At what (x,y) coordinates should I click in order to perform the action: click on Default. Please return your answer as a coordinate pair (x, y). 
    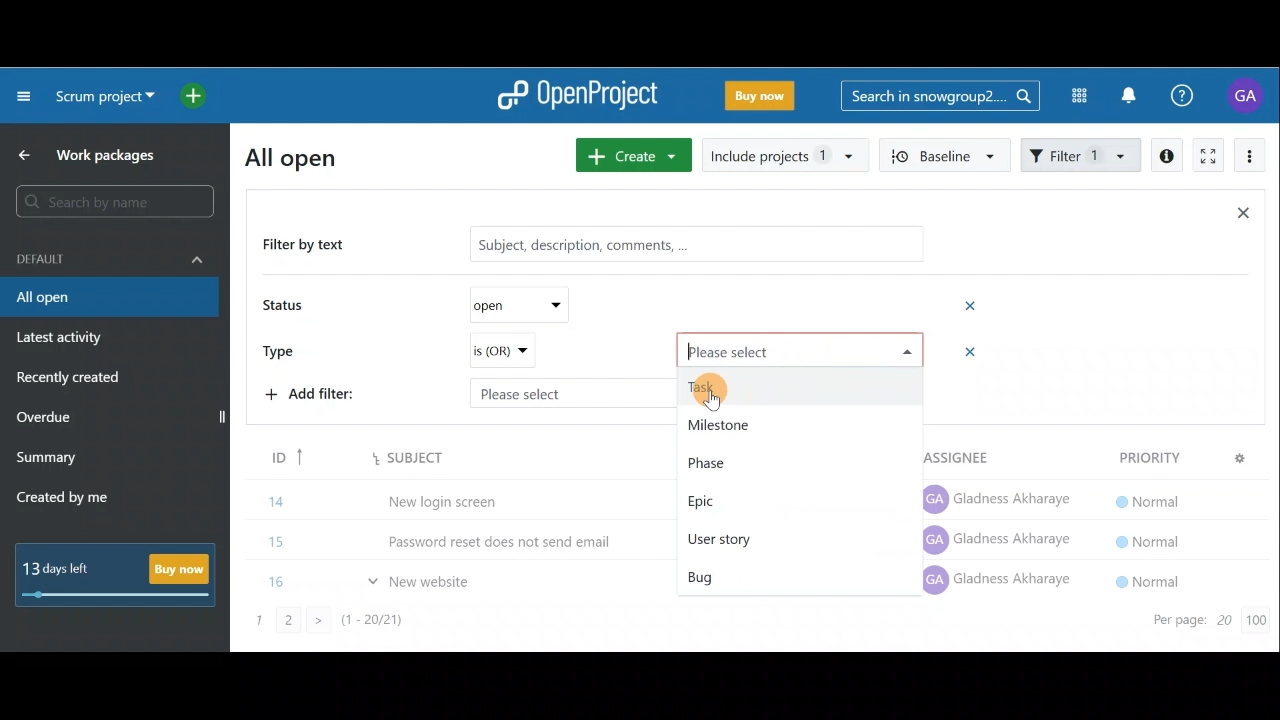
    Looking at the image, I should click on (110, 257).